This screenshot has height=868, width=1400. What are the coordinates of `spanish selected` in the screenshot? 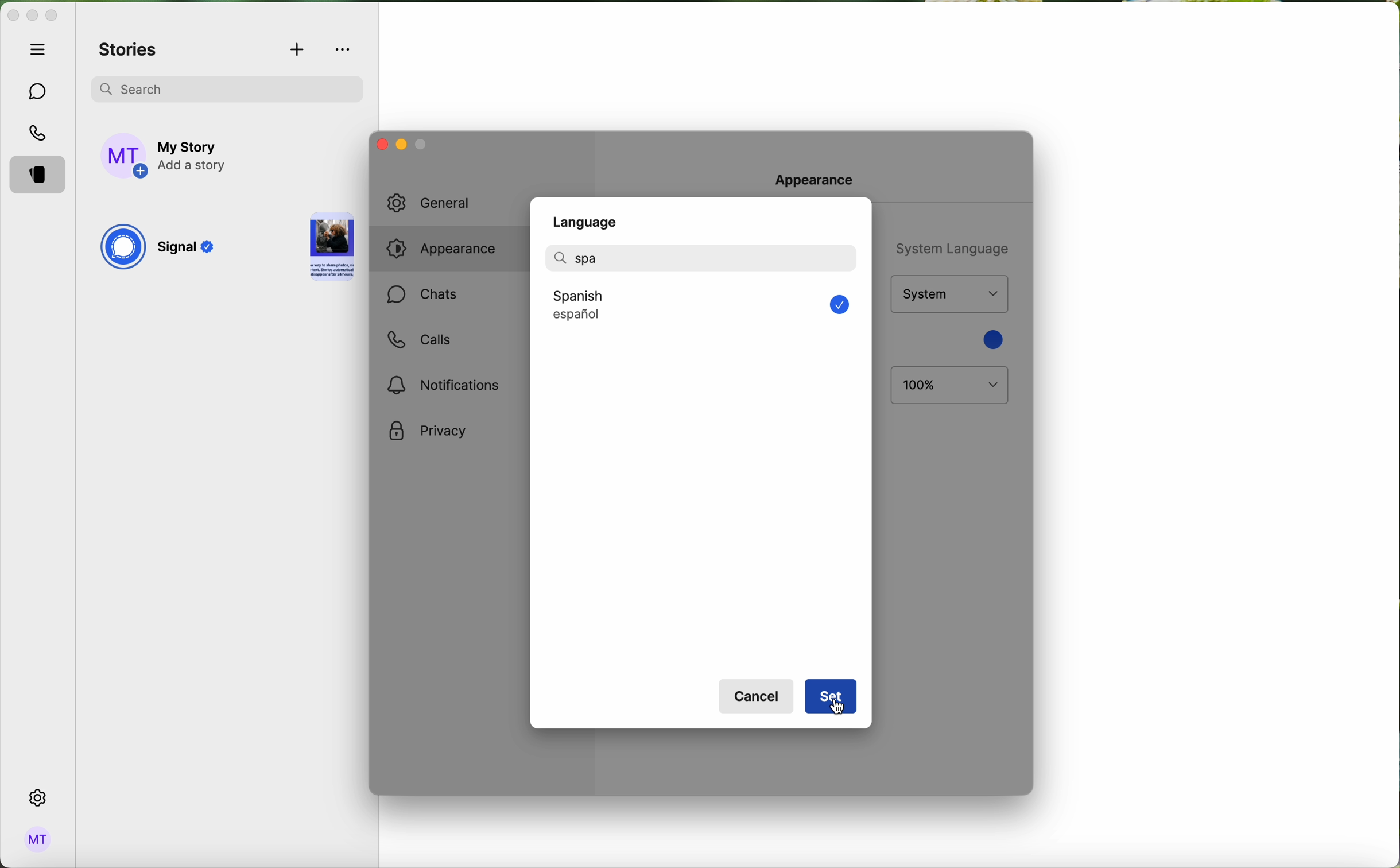 It's located at (644, 305).